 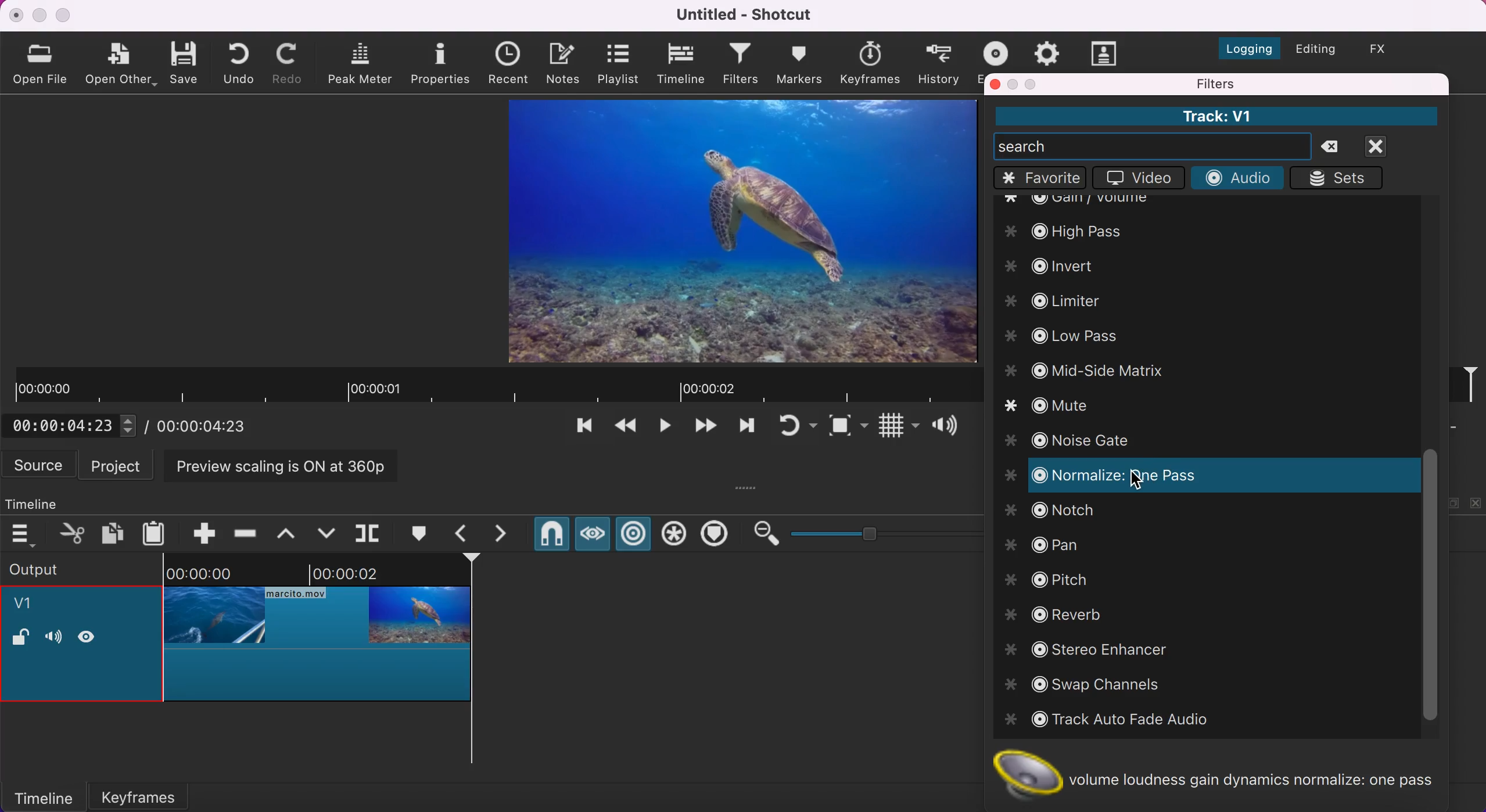 What do you see at coordinates (799, 63) in the screenshot?
I see `markers` at bounding box center [799, 63].